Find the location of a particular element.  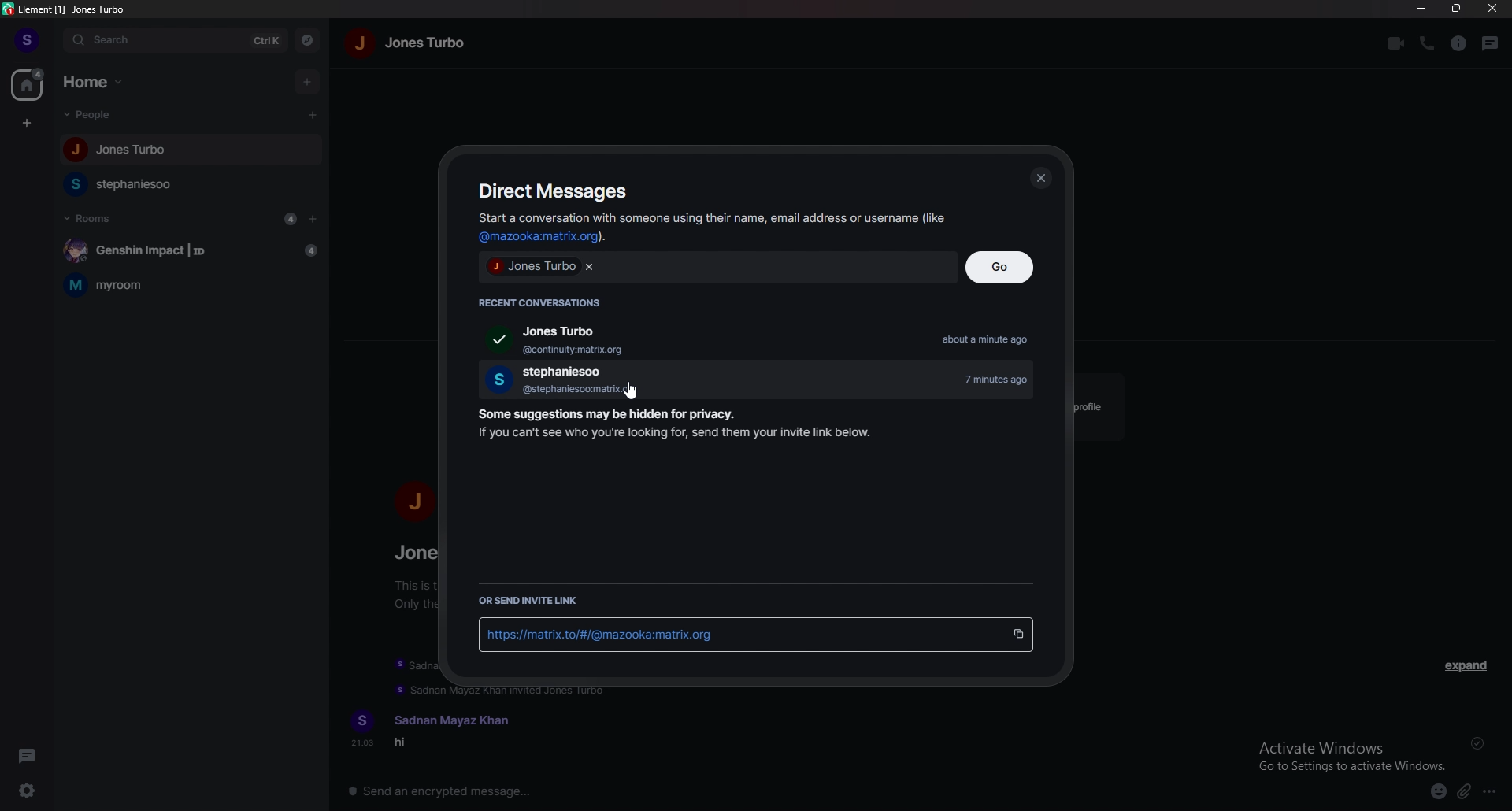

or send invite link is located at coordinates (534, 601).